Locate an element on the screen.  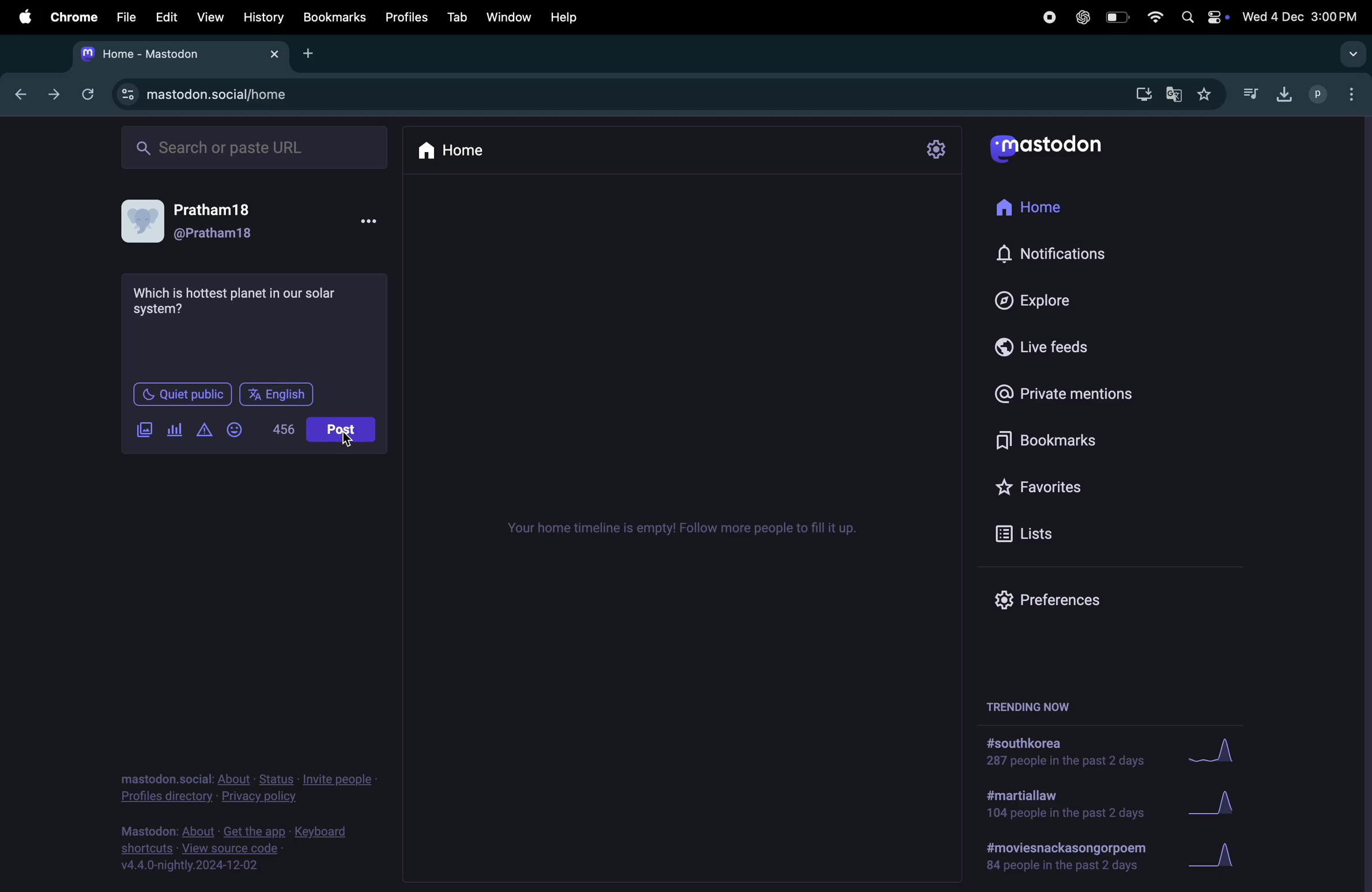
emoji is located at coordinates (239, 430).